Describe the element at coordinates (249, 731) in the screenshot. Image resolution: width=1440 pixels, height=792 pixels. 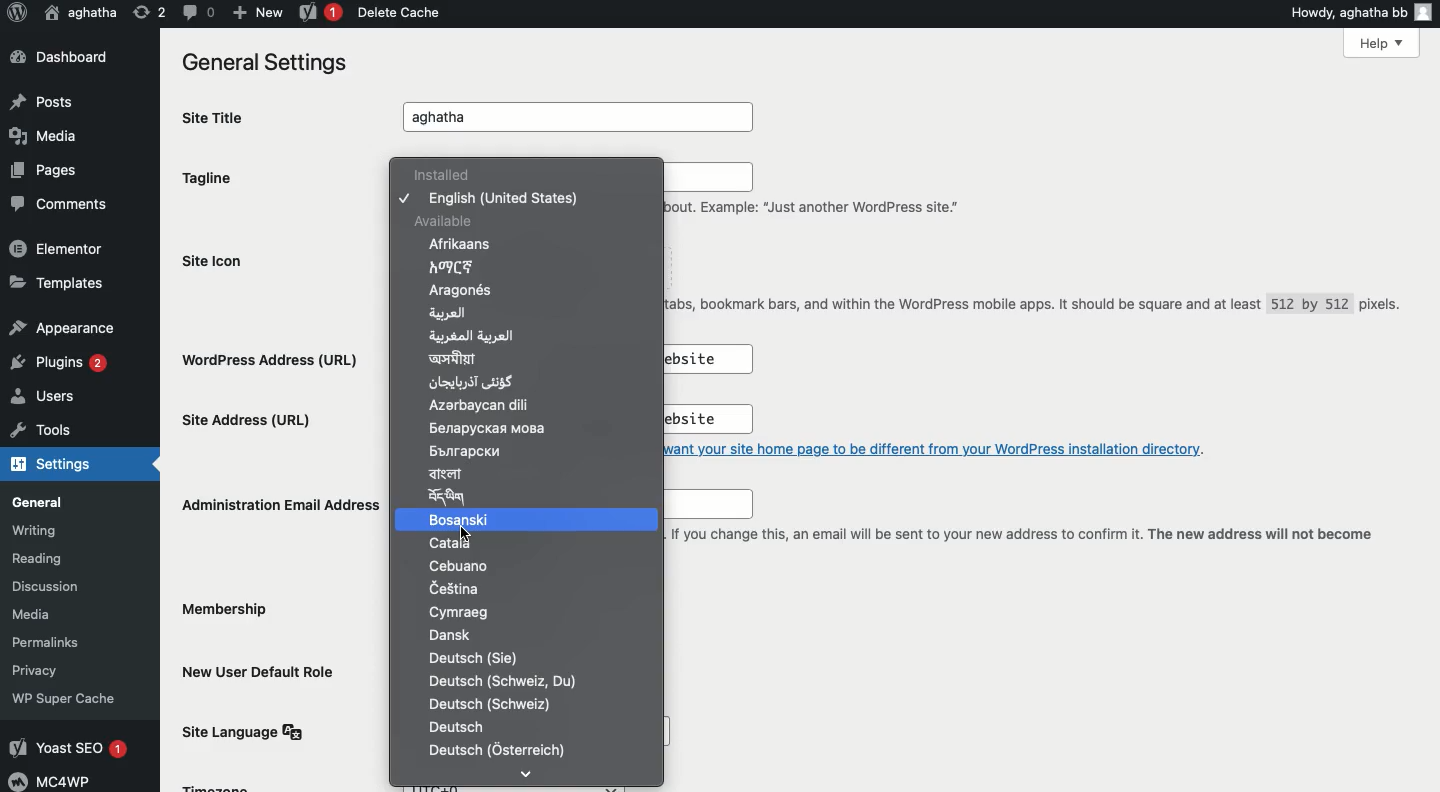
I see `Site language` at that location.